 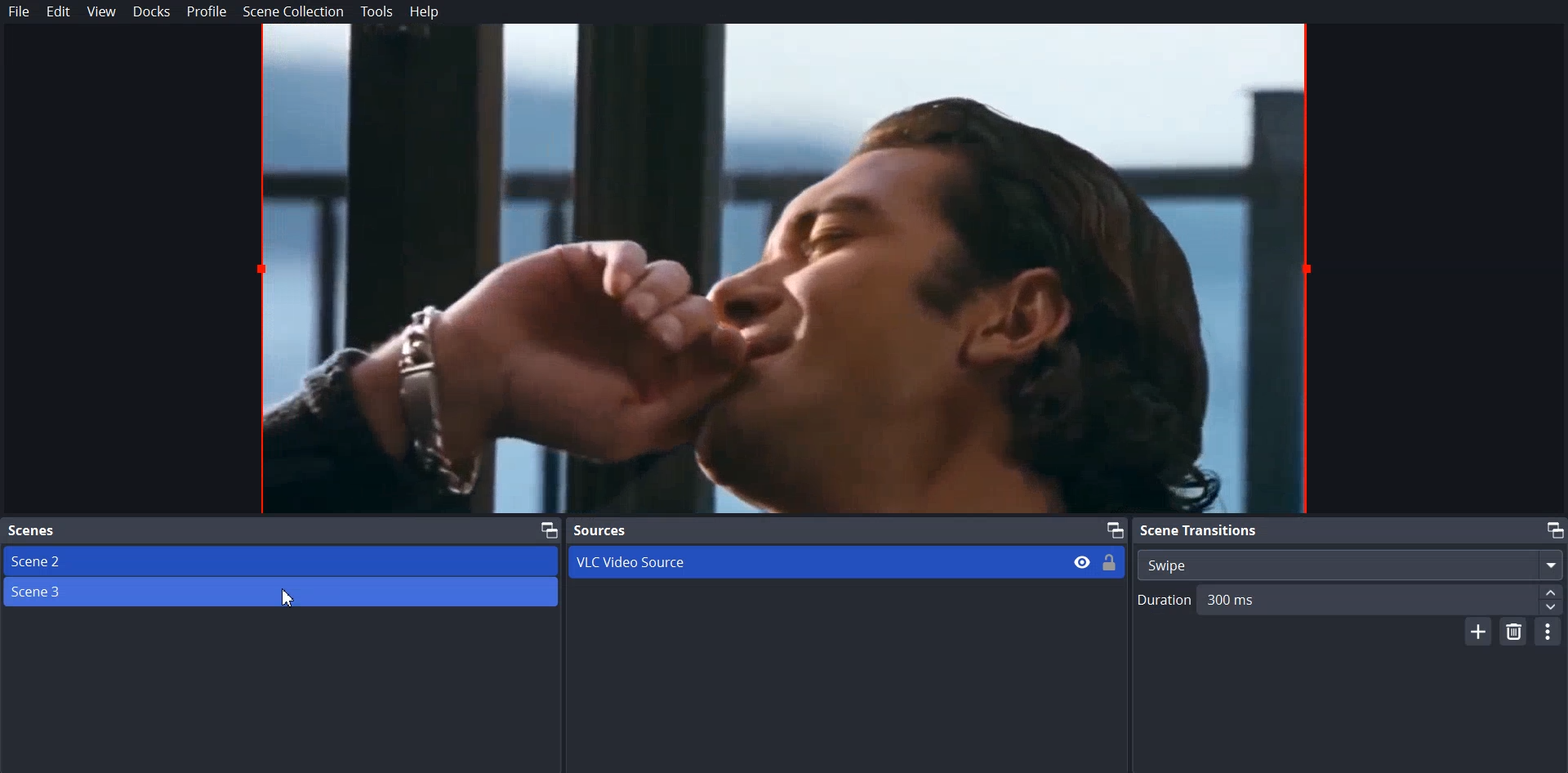 What do you see at coordinates (1111, 563) in the screenshot?
I see `Lock` at bounding box center [1111, 563].